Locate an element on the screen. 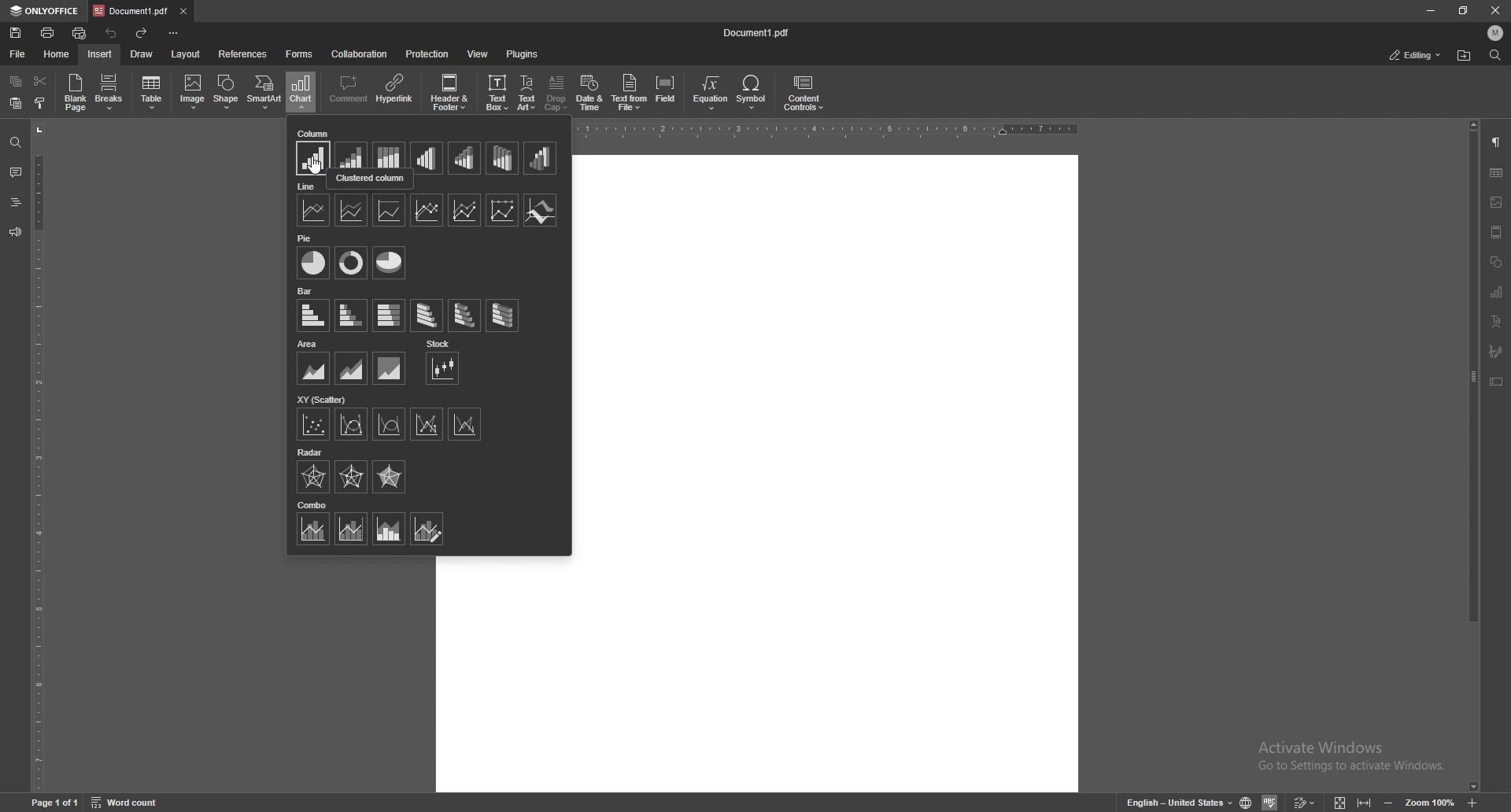 This screenshot has width=1511, height=812. clustered bar is located at coordinates (314, 315).